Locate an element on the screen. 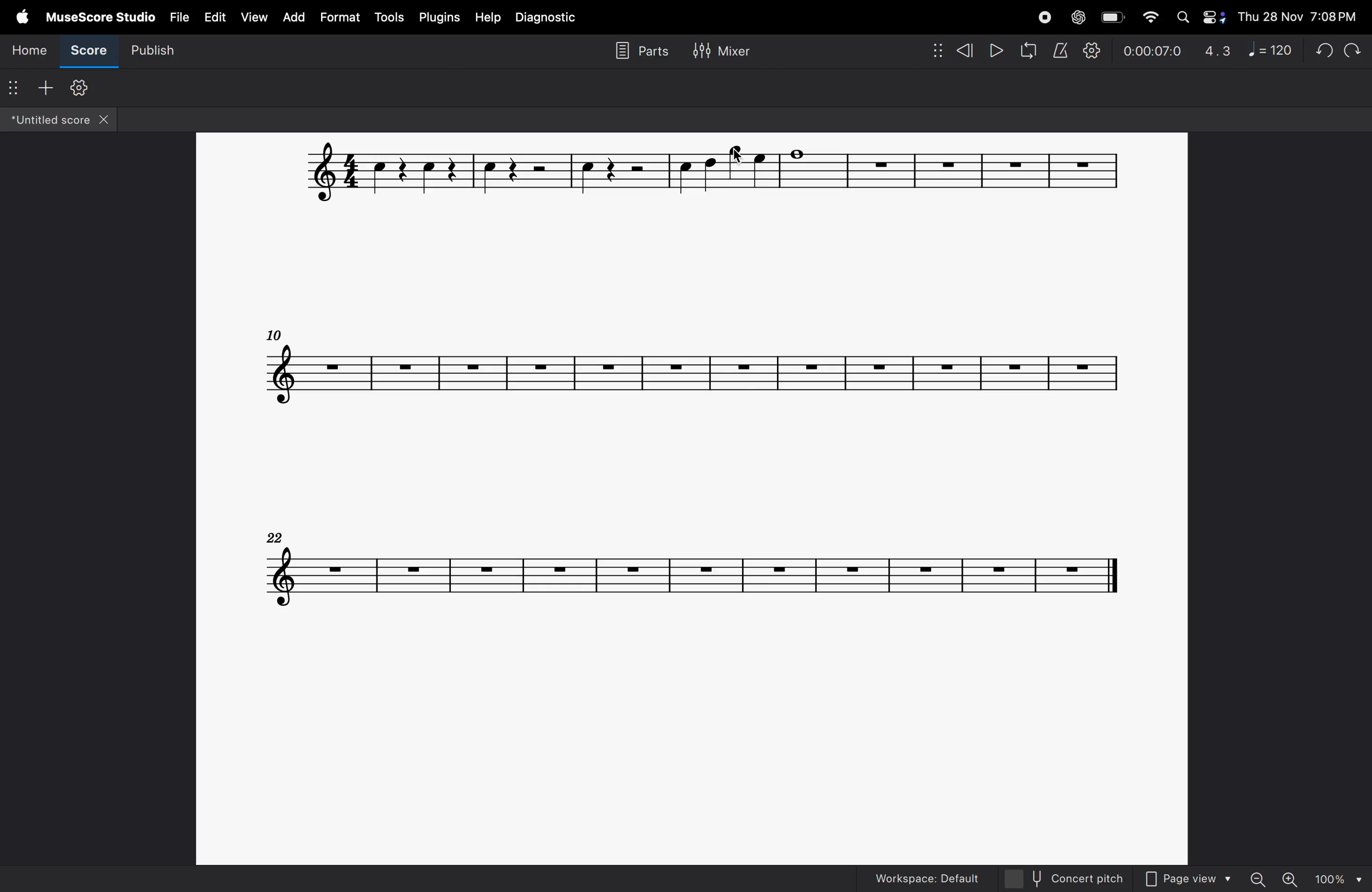 The width and height of the screenshot is (1372, 892). parts is located at coordinates (638, 53).